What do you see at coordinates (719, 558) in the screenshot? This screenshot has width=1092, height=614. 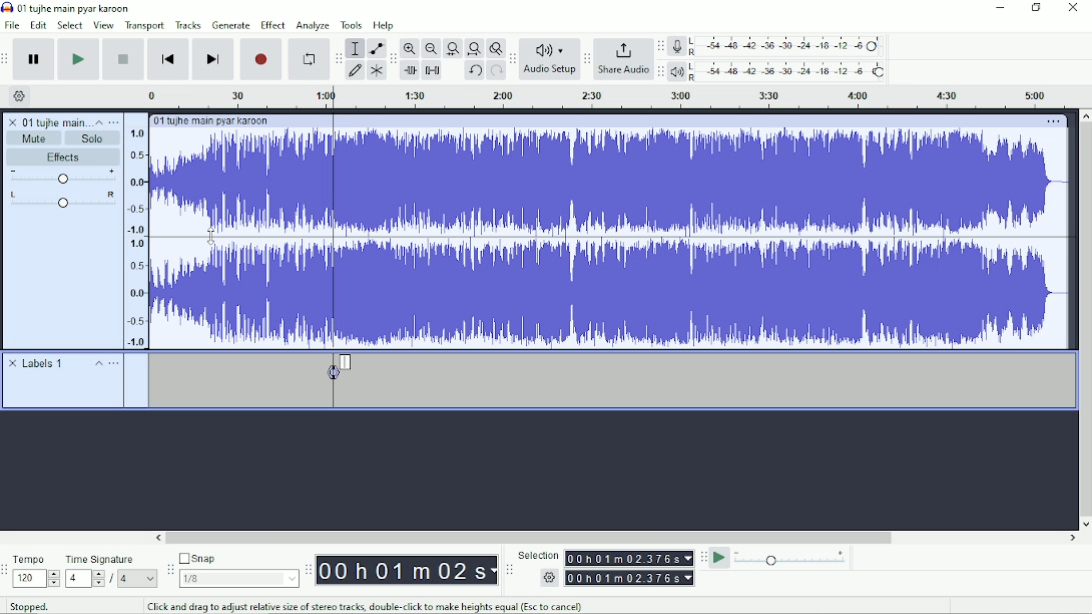 I see `Play-at-speed` at bounding box center [719, 558].